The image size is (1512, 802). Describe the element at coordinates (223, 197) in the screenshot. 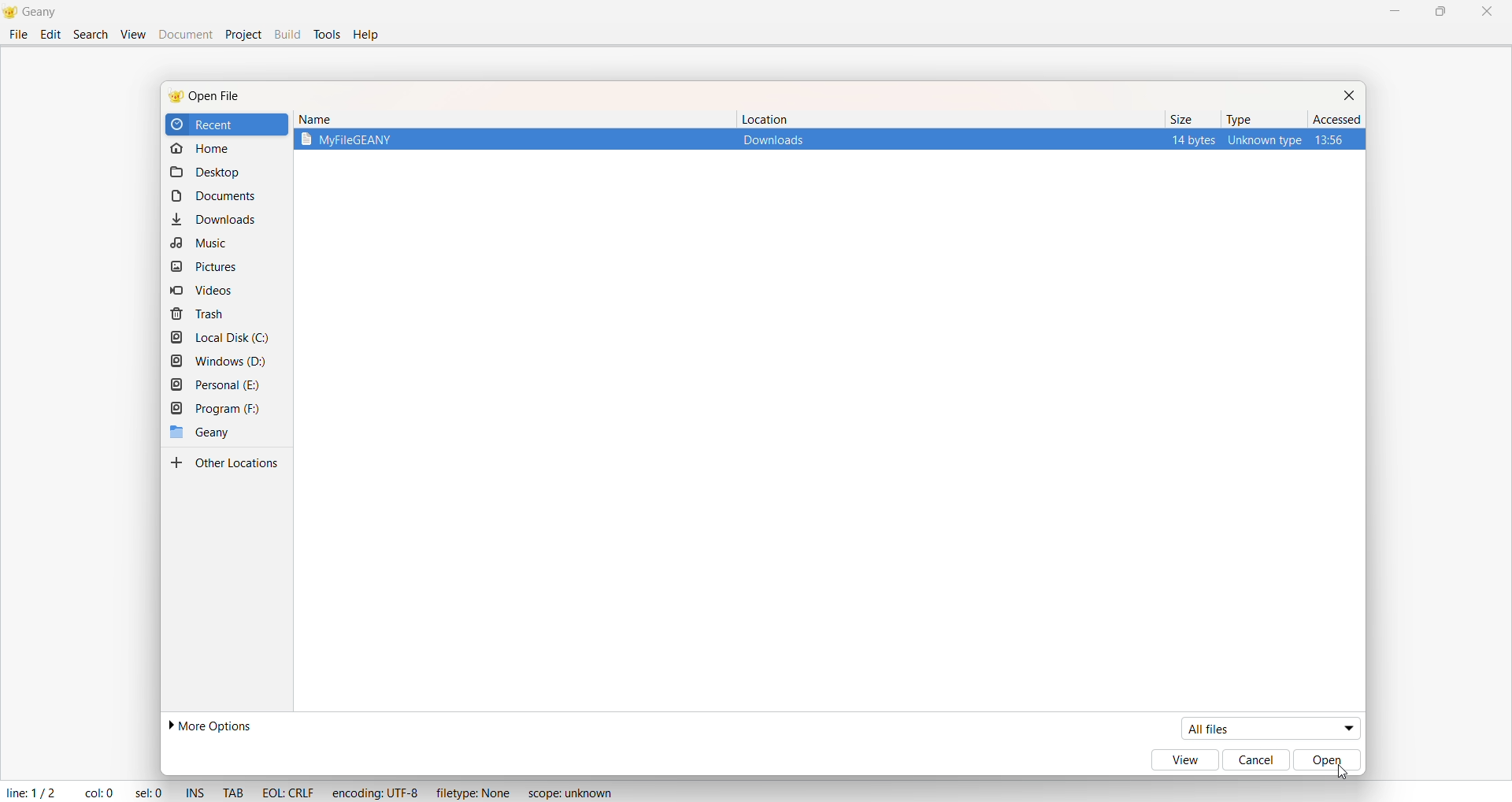

I see `document` at that location.